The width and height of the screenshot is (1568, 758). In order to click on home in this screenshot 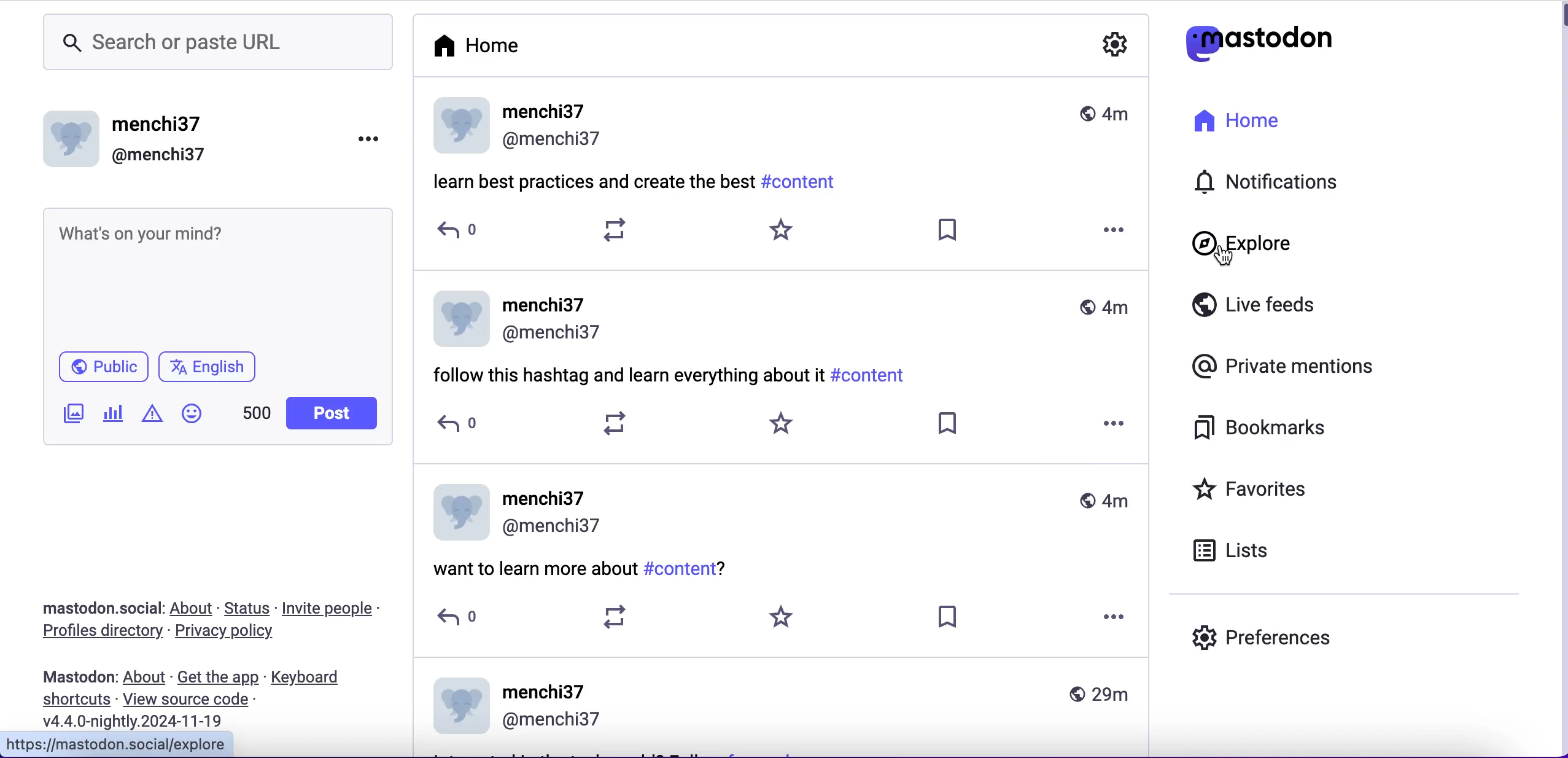, I will do `click(1272, 121)`.